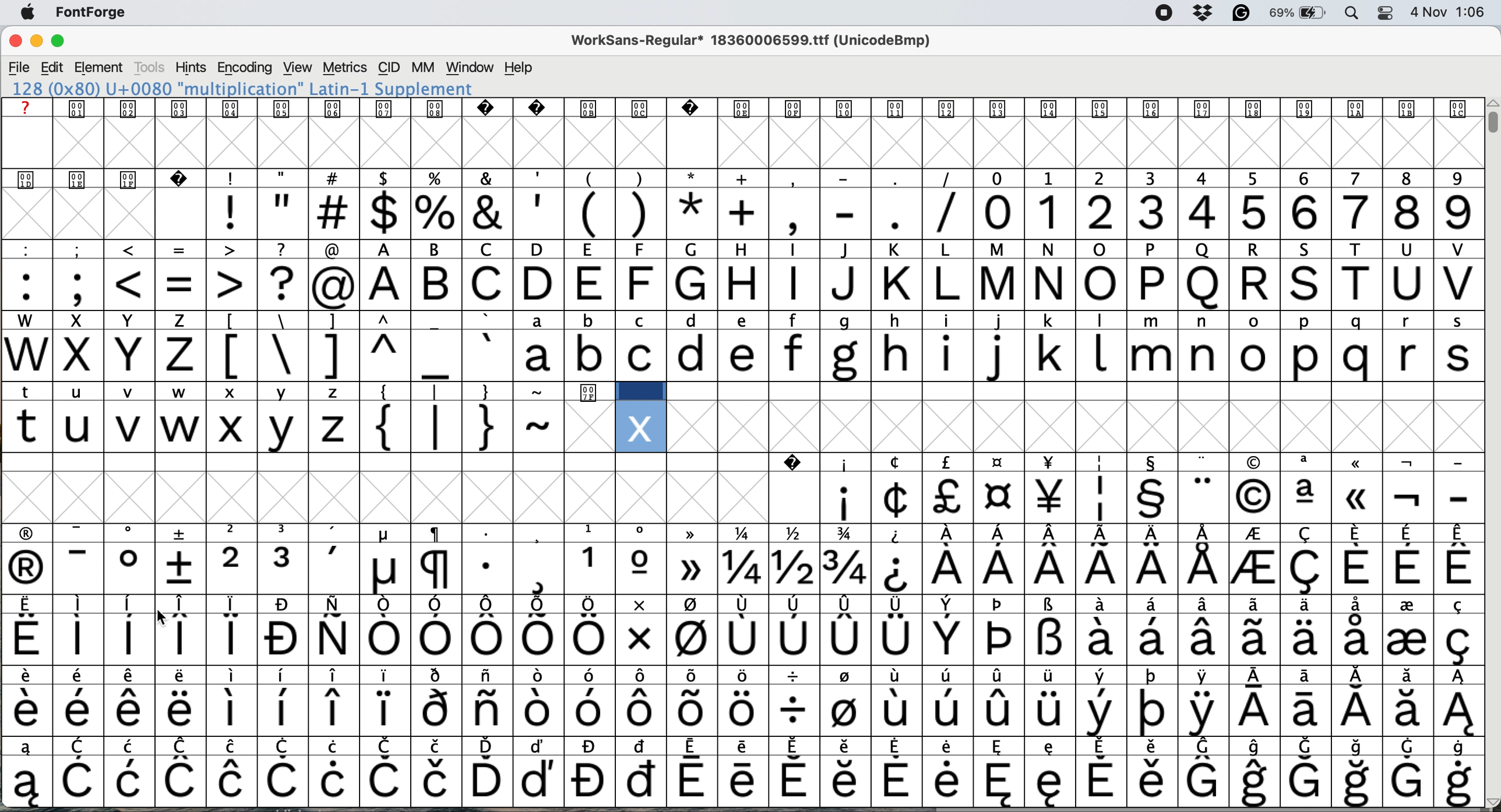  Describe the element at coordinates (738, 249) in the screenshot. I see `special characters and text` at that location.